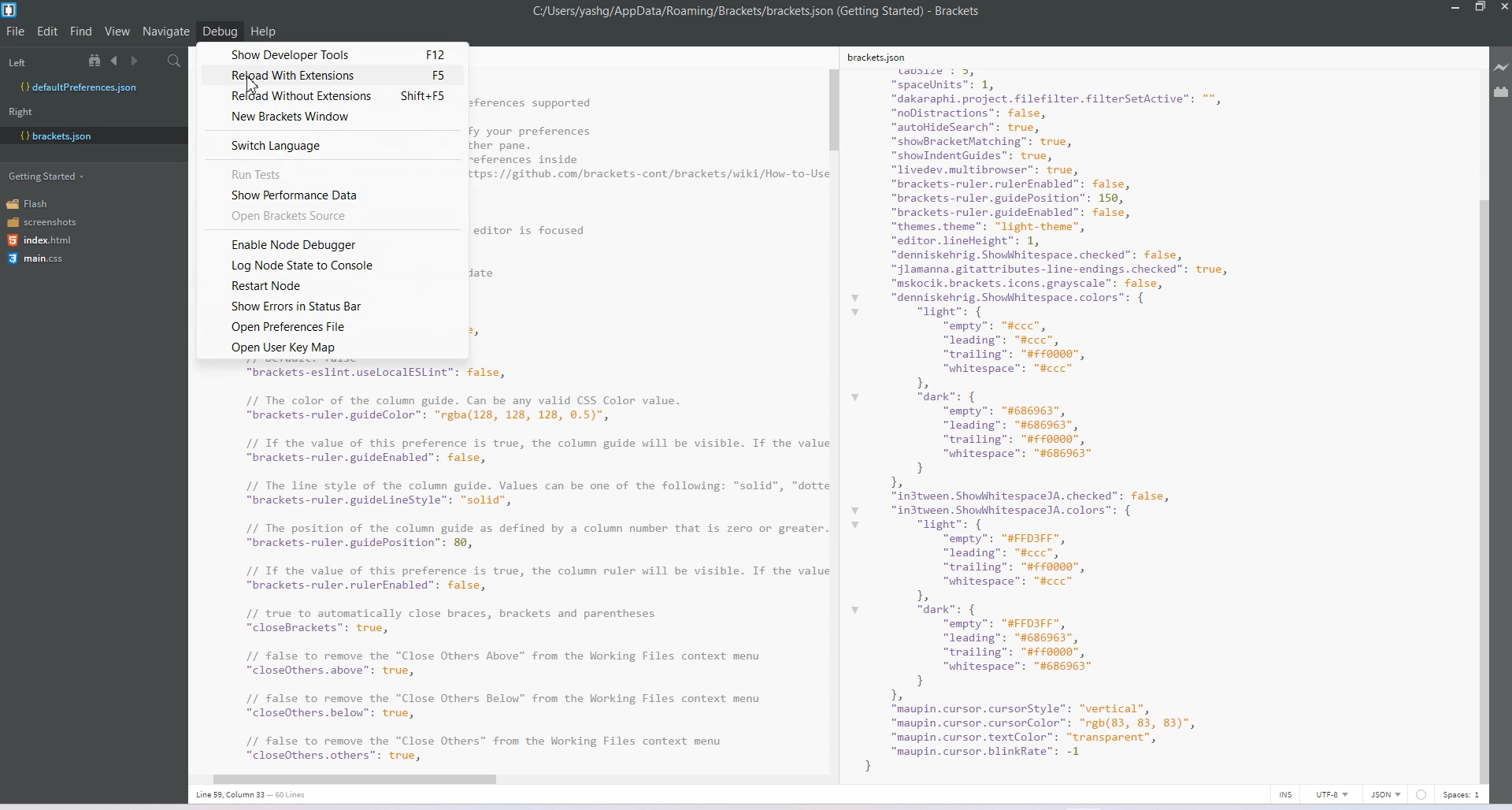 The height and width of the screenshot is (810, 1512). What do you see at coordinates (154, 61) in the screenshot?
I see `Split editor vertically and Horizontally` at bounding box center [154, 61].